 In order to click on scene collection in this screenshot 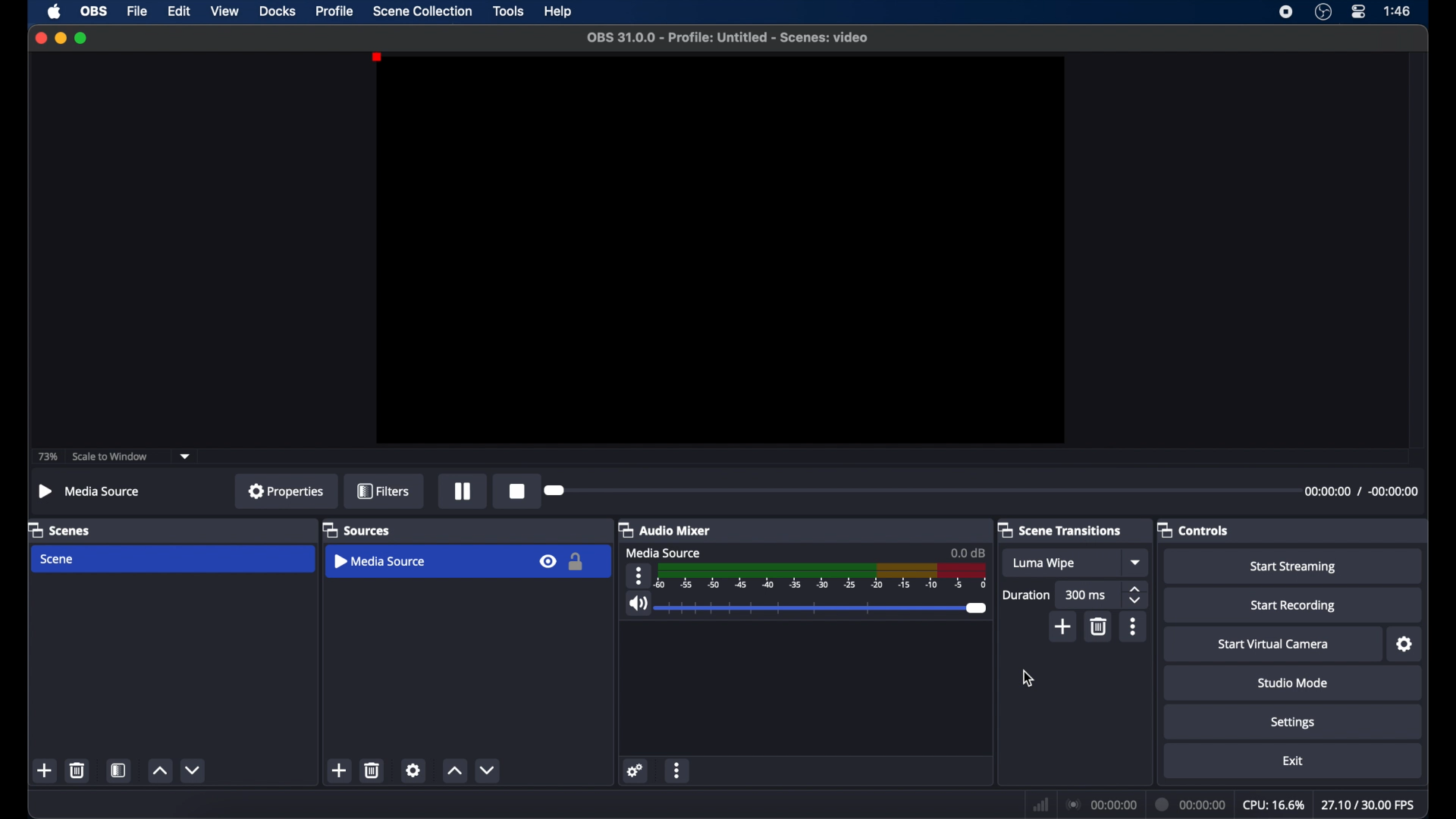, I will do `click(424, 11)`.